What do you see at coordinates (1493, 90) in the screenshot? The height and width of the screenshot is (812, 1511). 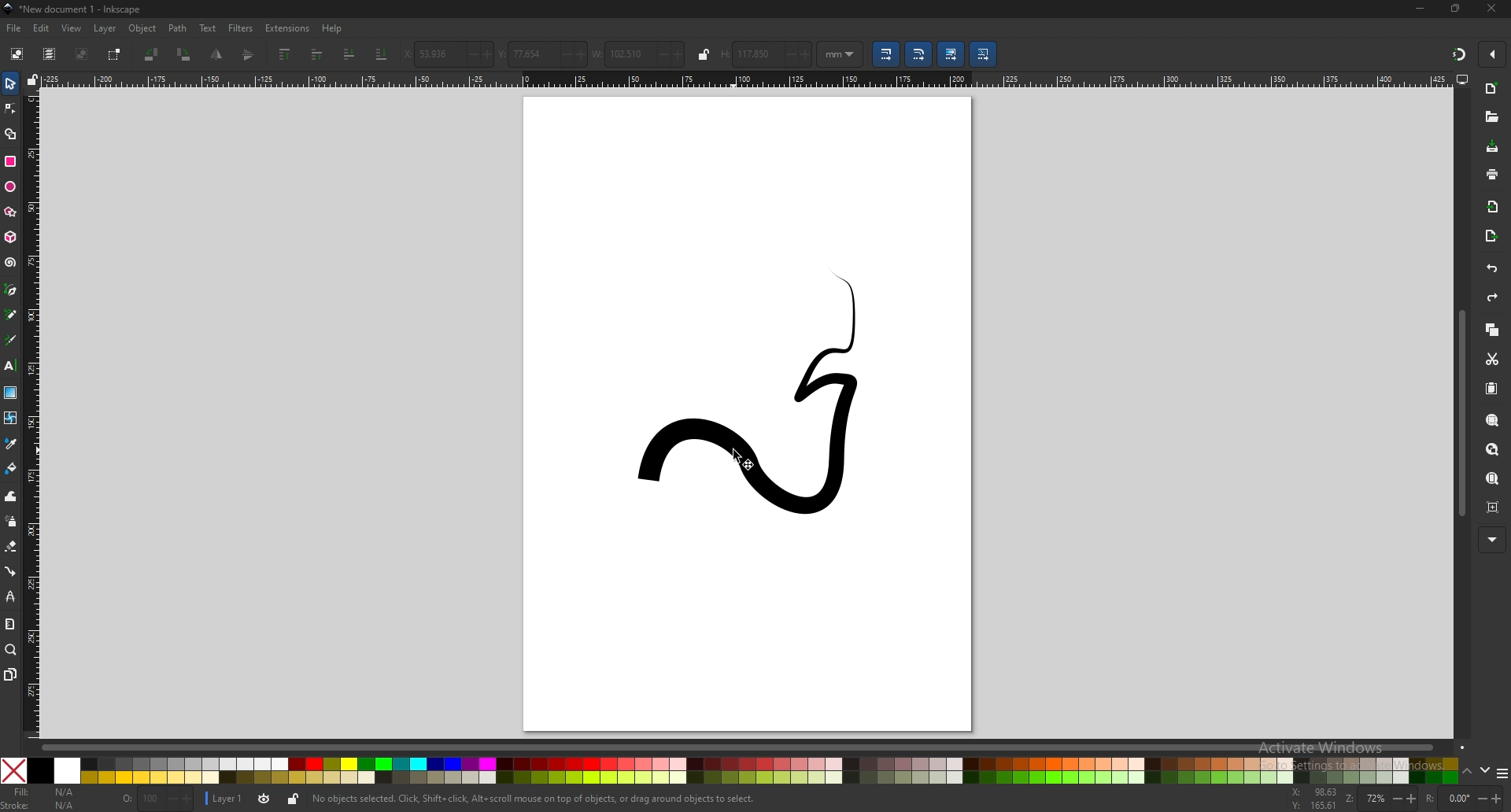 I see `new` at bounding box center [1493, 90].